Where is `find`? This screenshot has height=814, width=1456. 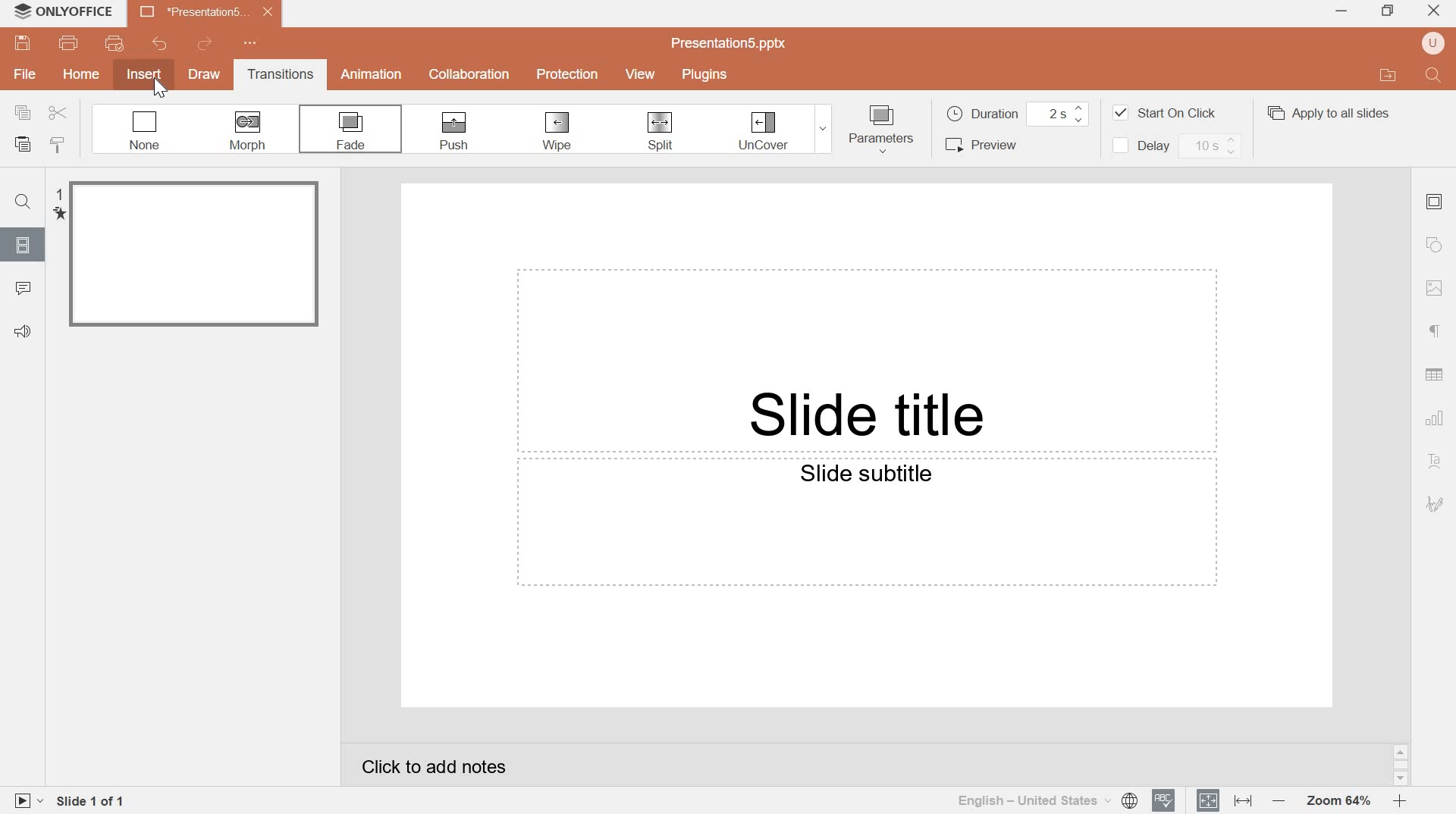 find is located at coordinates (22, 202).